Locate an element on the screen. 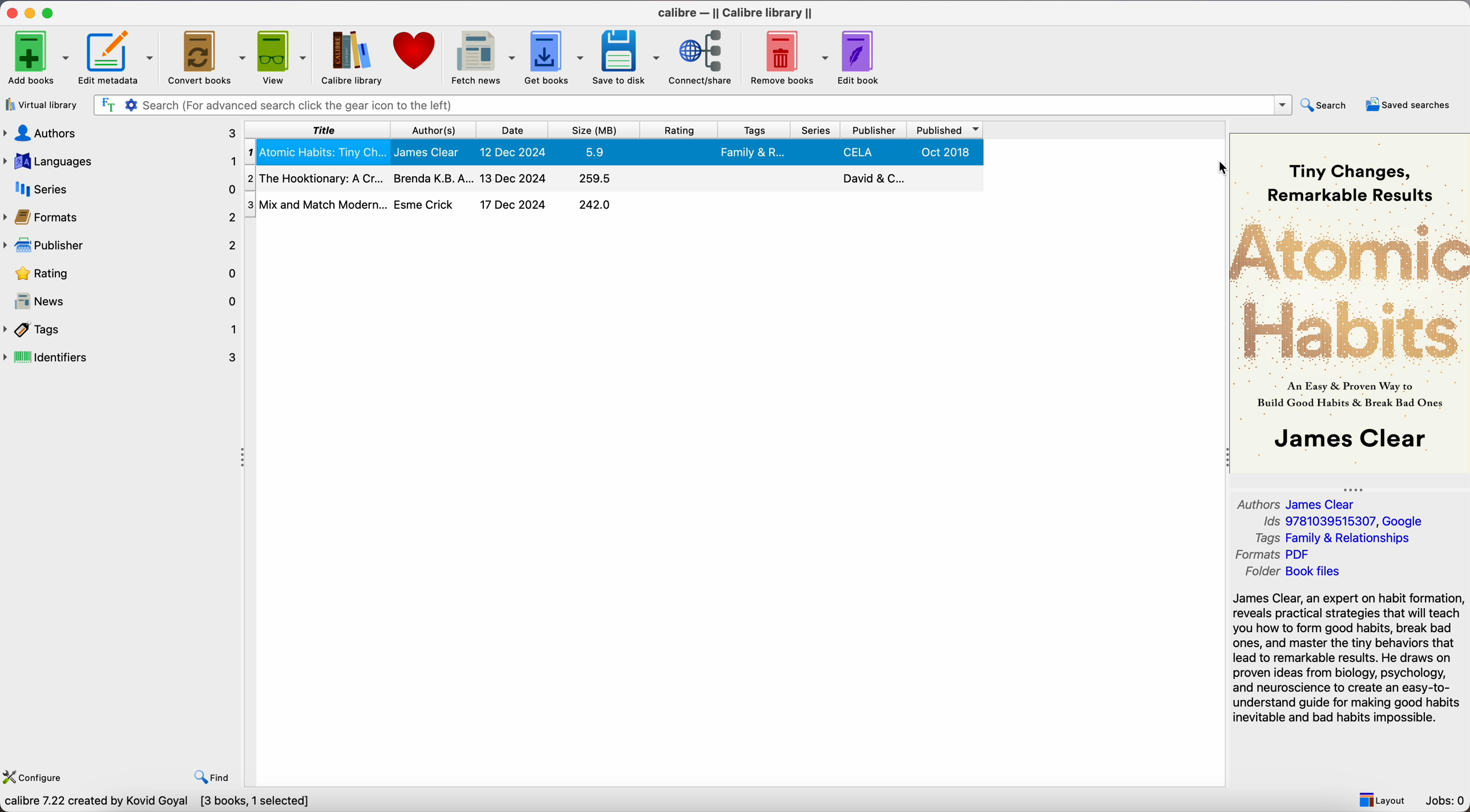 The width and height of the screenshot is (1470, 812). calibre library is located at coordinates (349, 57).